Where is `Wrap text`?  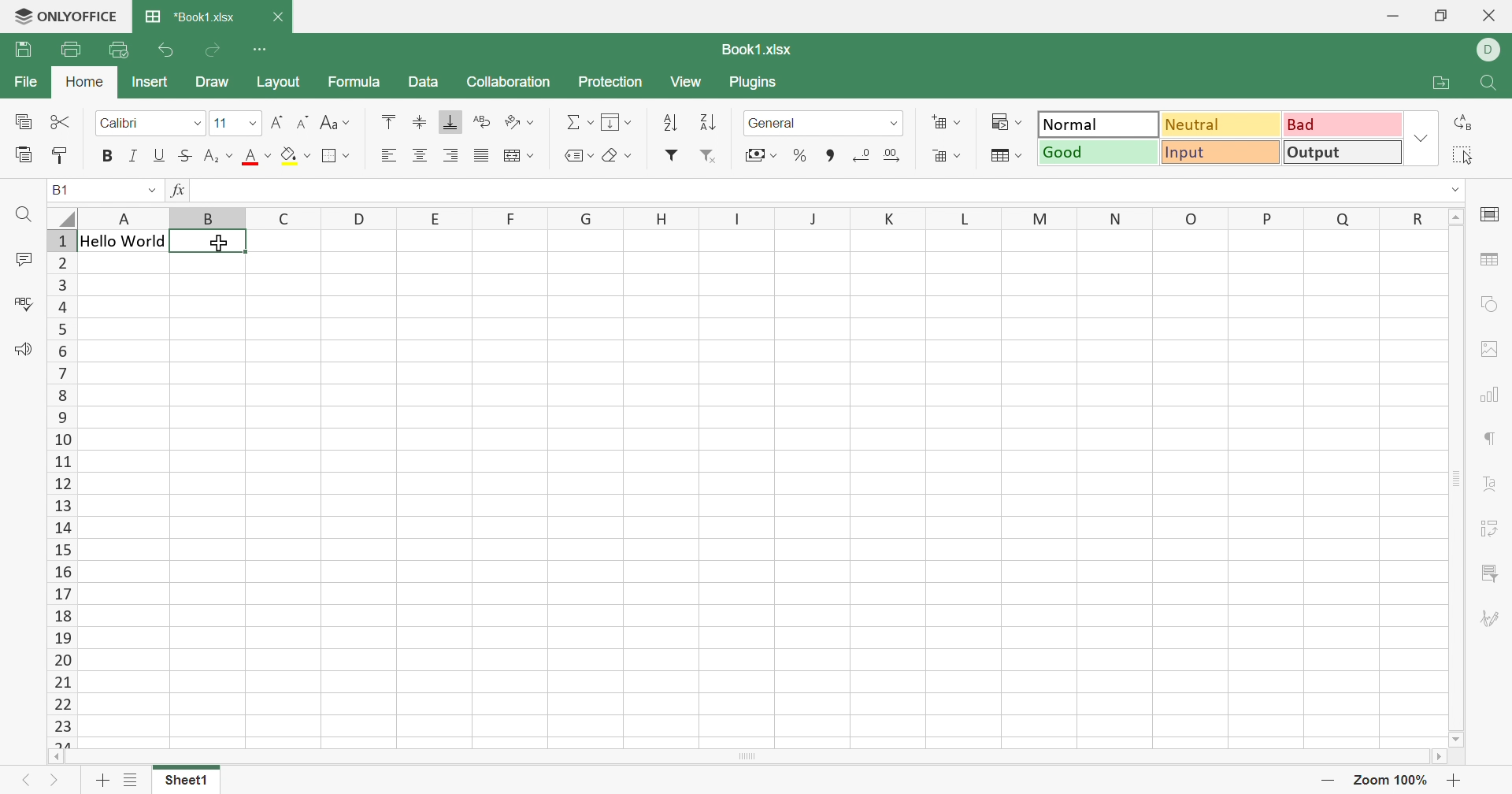 Wrap text is located at coordinates (481, 121).